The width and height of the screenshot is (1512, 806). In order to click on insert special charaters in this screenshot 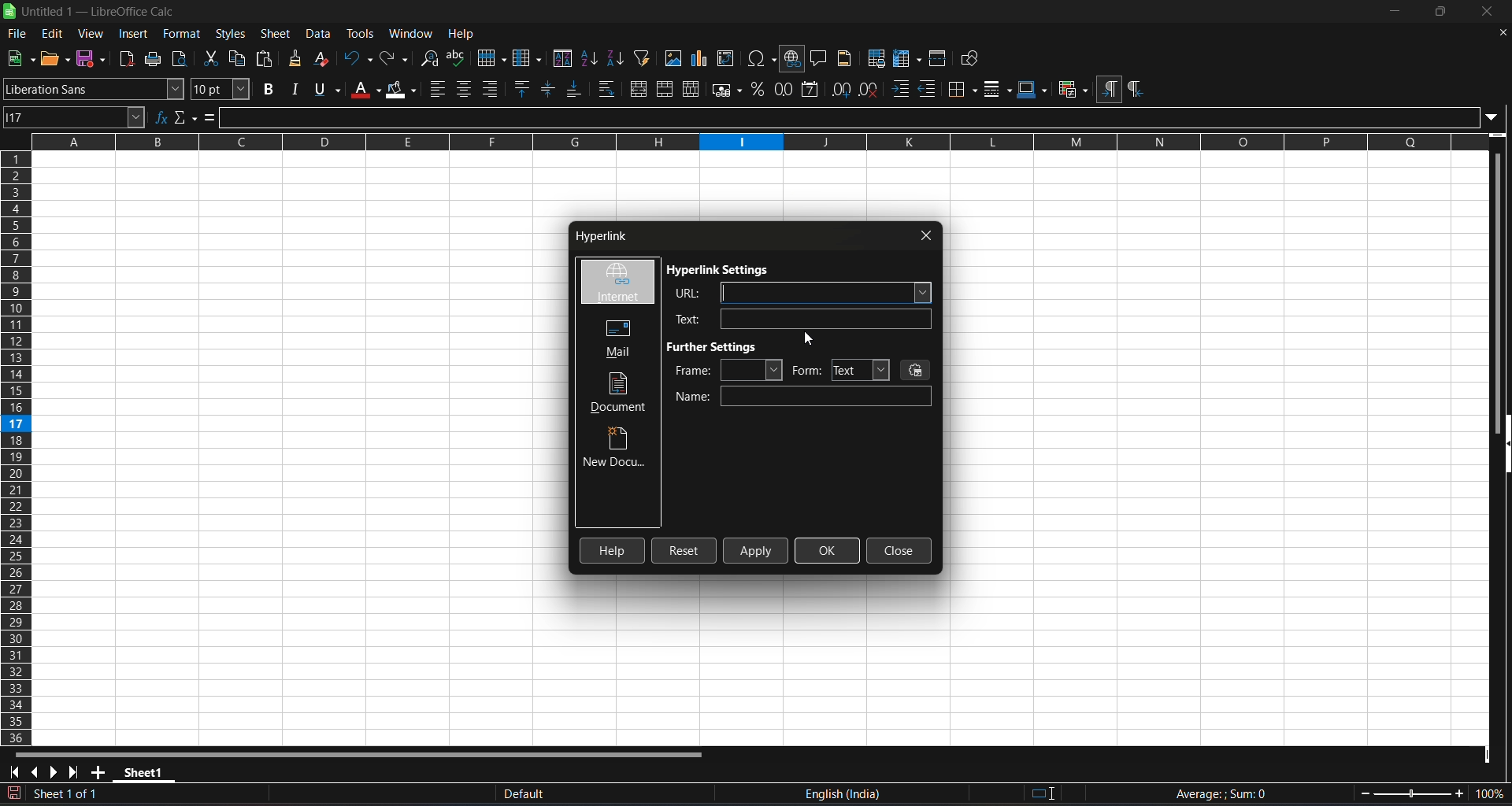, I will do `click(760, 58)`.